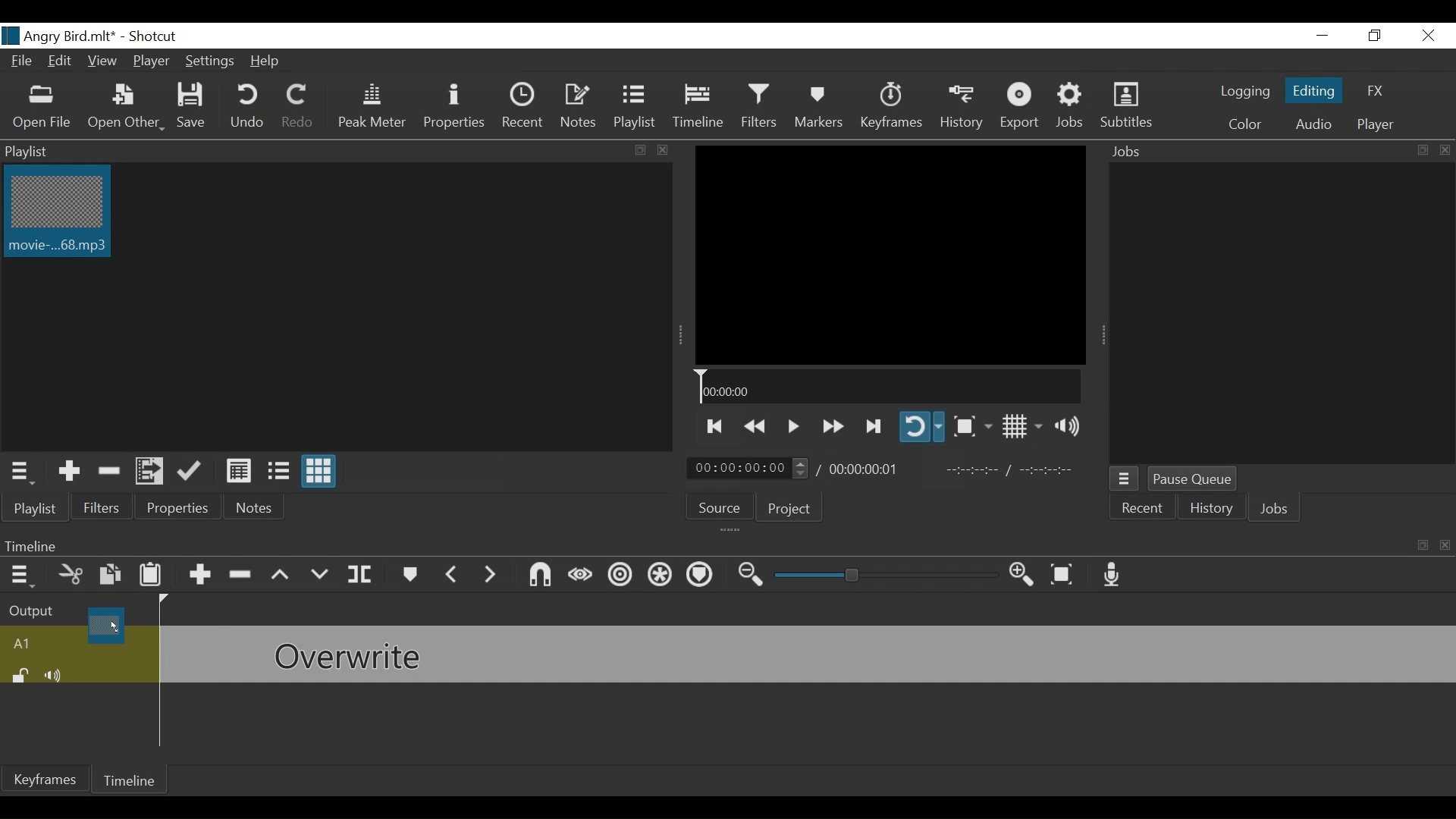 The width and height of the screenshot is (1456, 819). What do you see at coordinates (1314, 88) in the screenshot?
I see `Editing` at bounding box center [1314, 88].